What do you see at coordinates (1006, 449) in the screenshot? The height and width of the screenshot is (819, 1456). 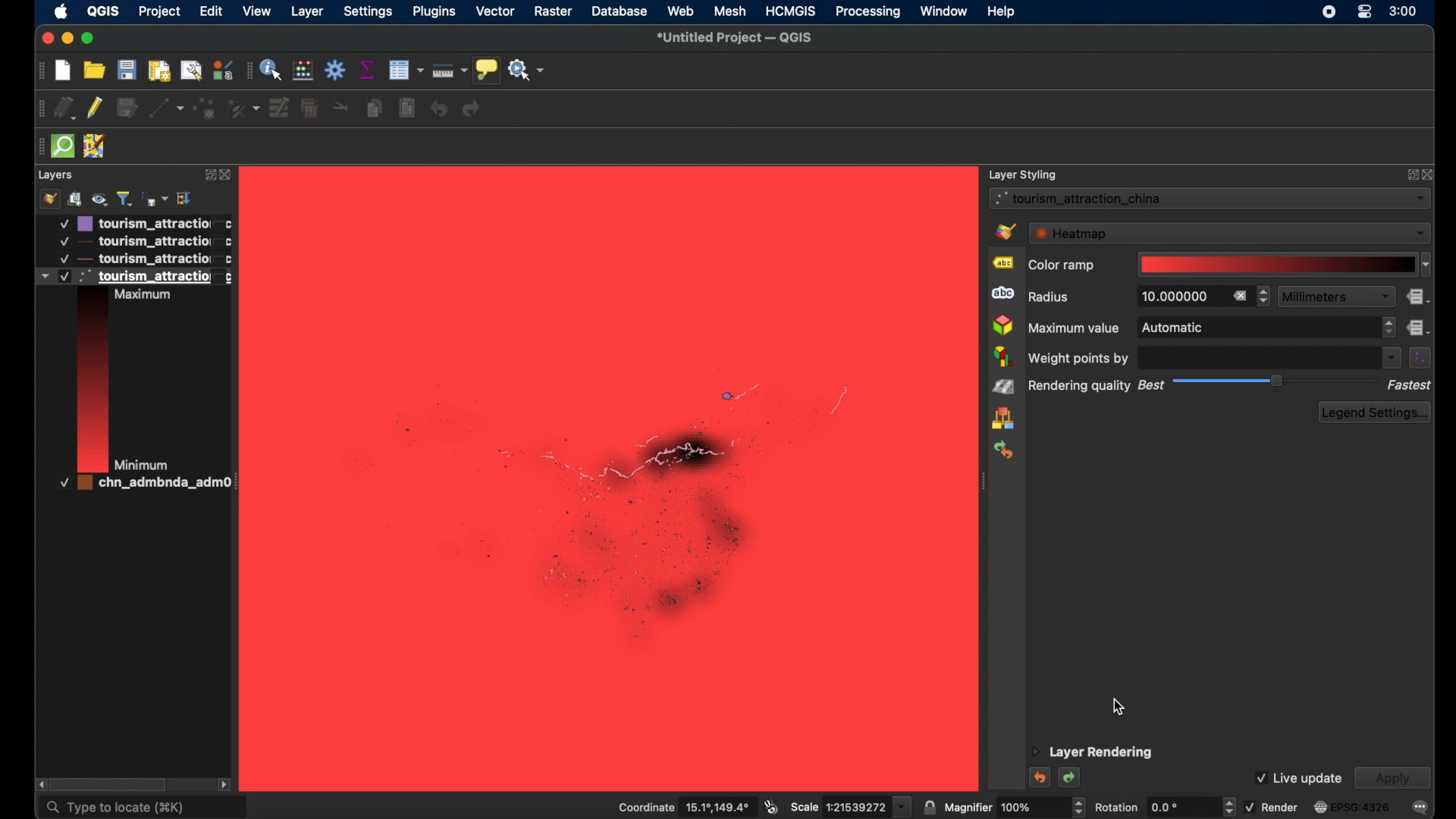 I see `history ` at bounding box center [1006, 449].